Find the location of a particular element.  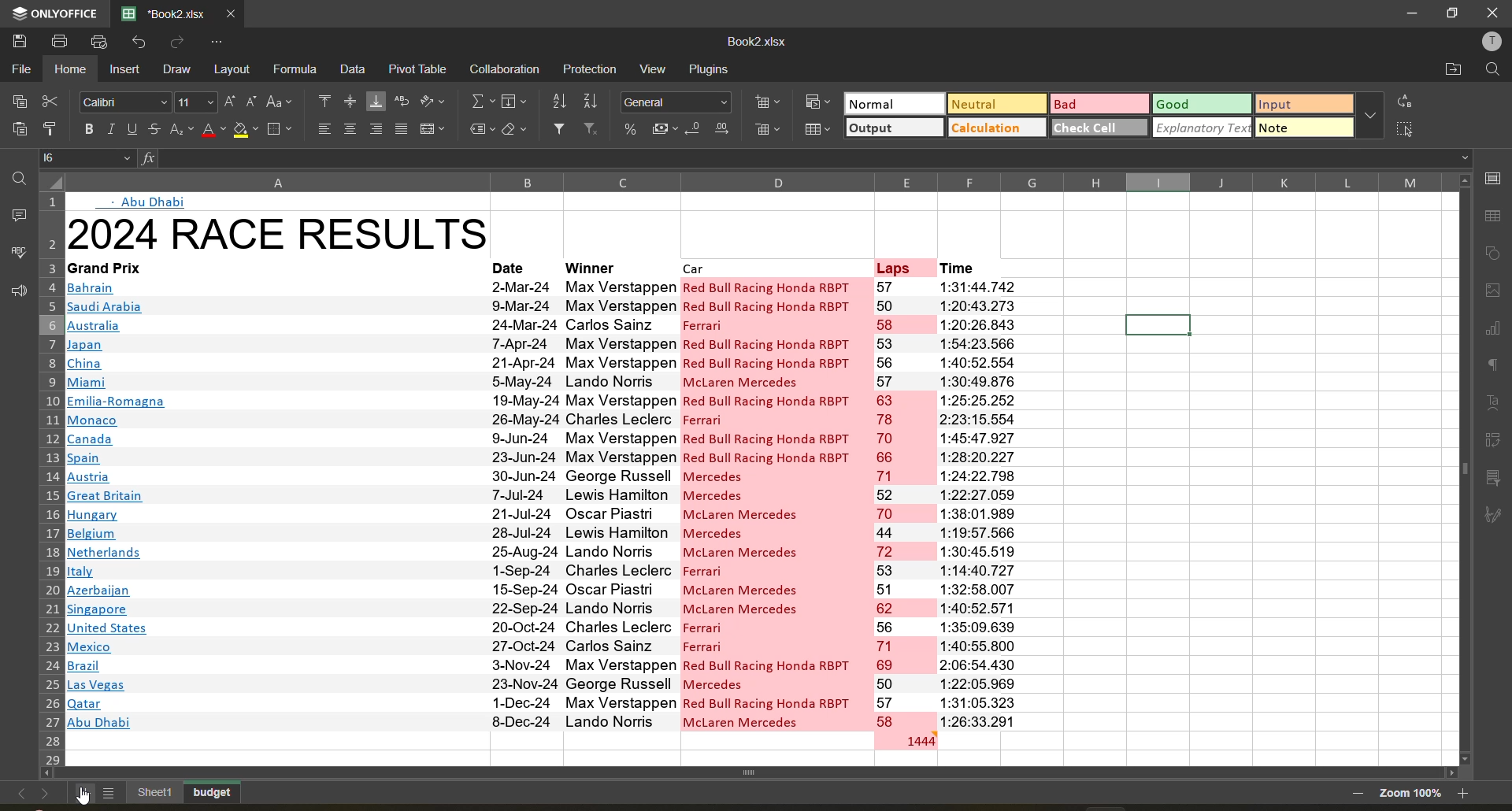

fill color is located at coordinates (246, 131).